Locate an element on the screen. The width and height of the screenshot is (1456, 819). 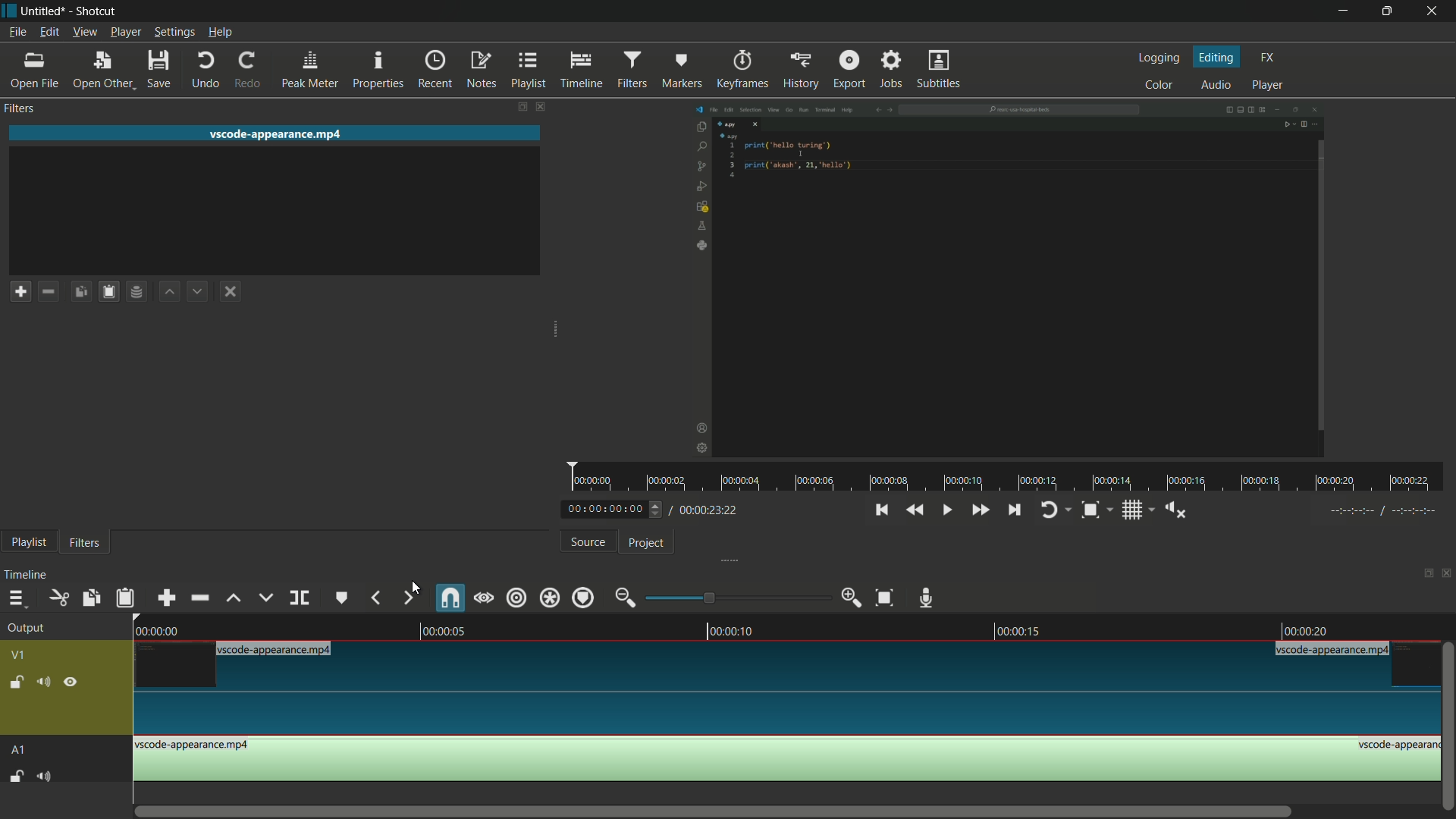
logging is located at coordinates (1159, 59).